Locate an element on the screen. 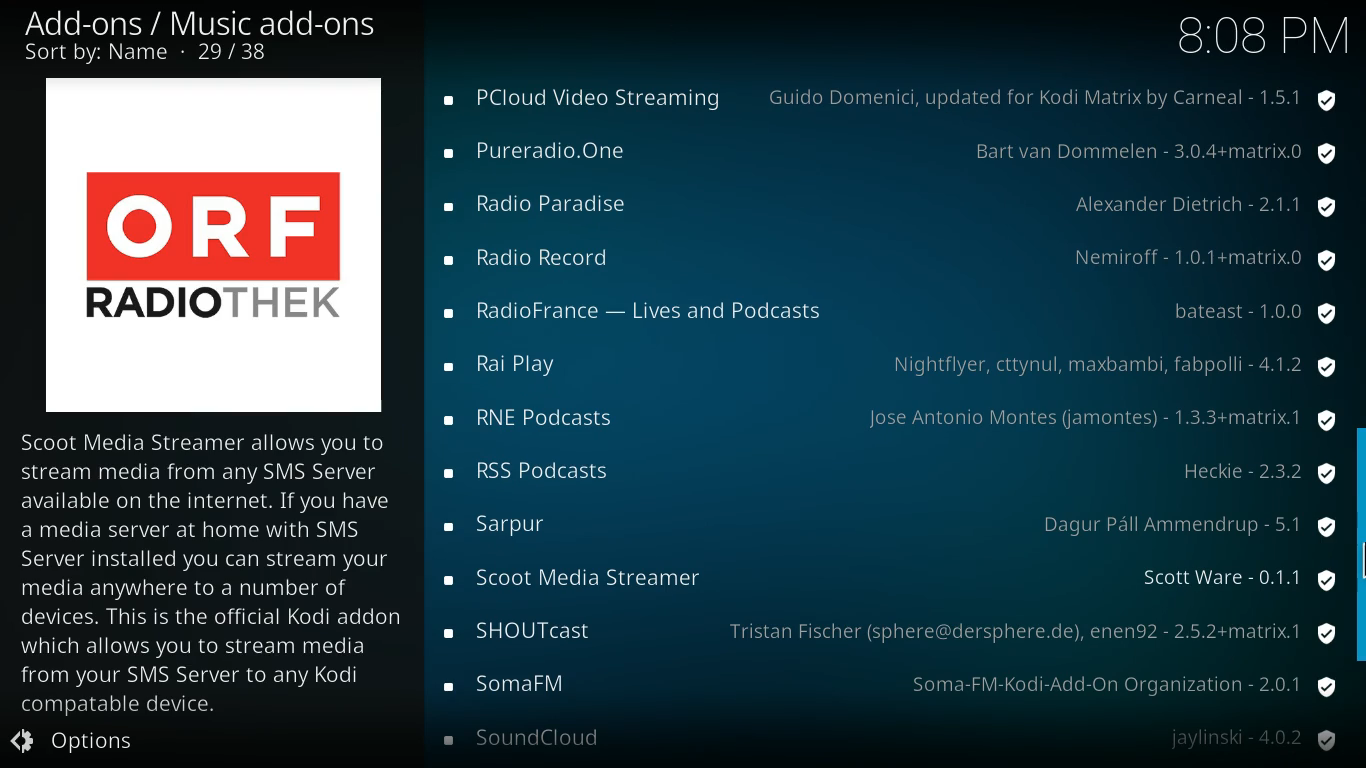 This screenshot has width=1366, height=768. Time - 8:08PM is located at coordinates (1260, 35).